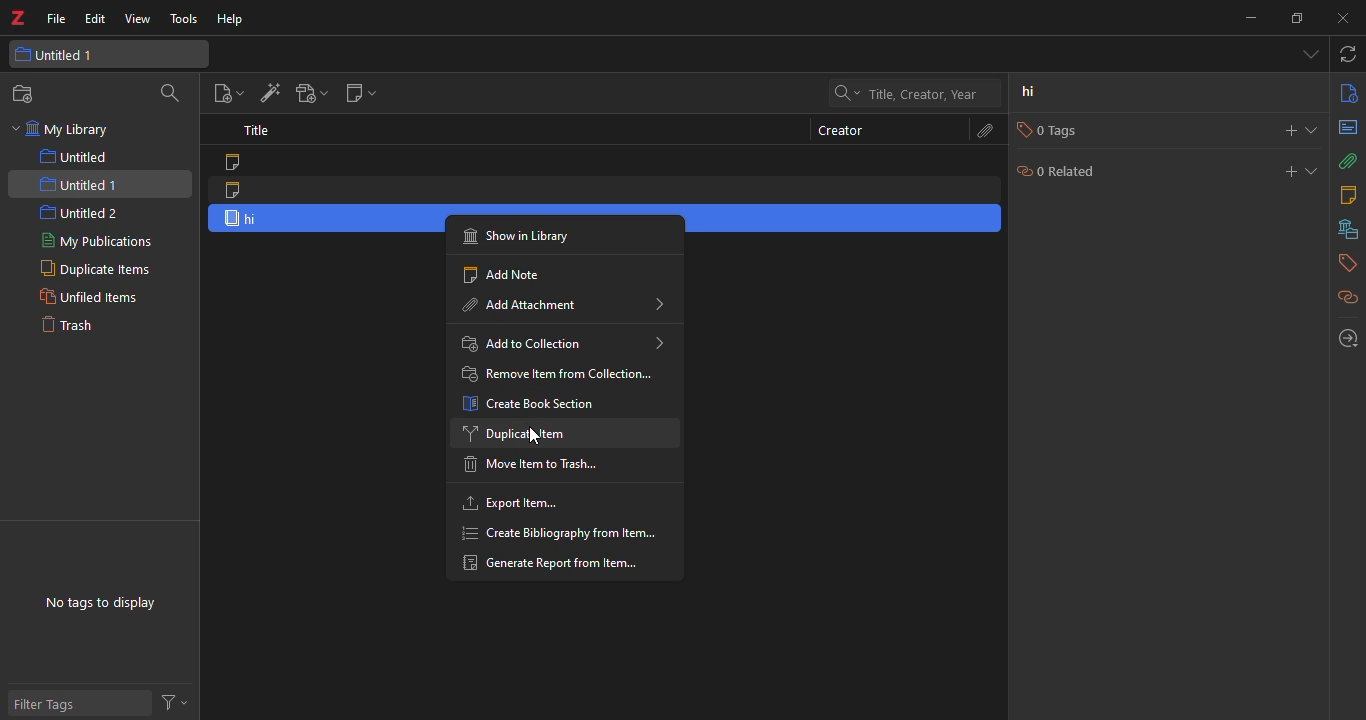 This screenshot has width=1366, height=720. What do you see at coordinates (312, 93) in the screenshot?
I see `add attach` at bounding box center [312, 93].